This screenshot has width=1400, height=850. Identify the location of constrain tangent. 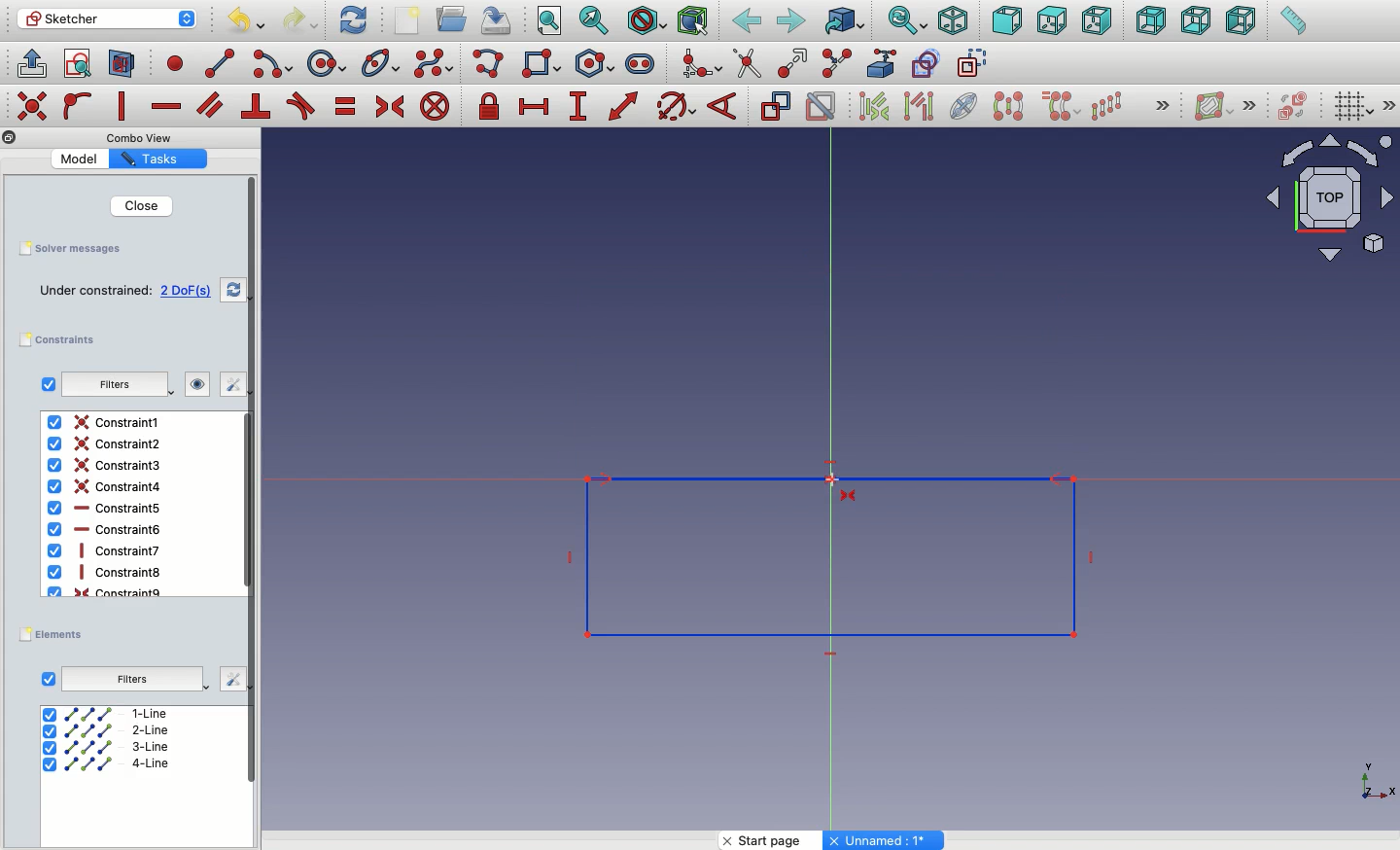
(301, 106).